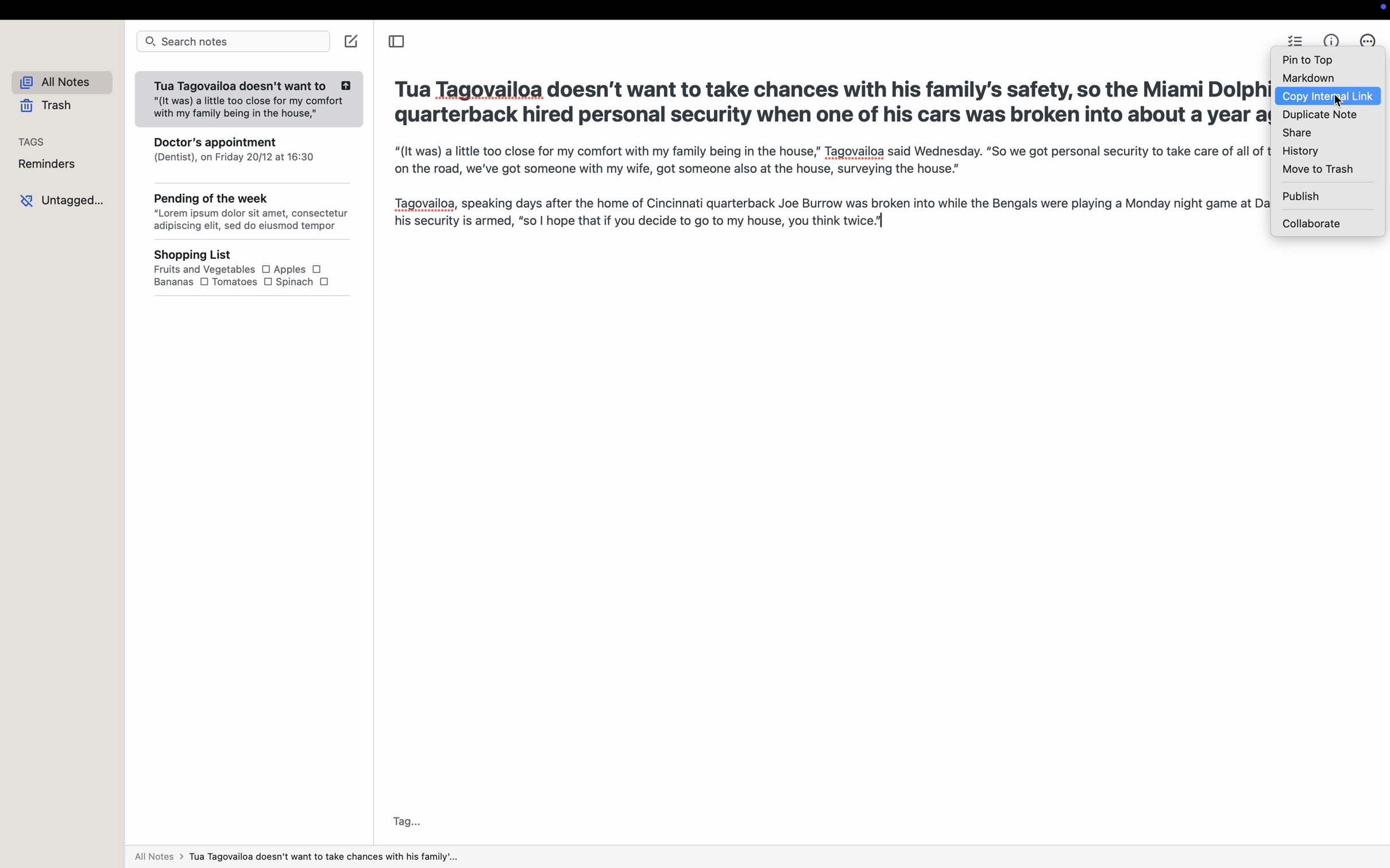  I want to click on checklist, so click(1294, 39).